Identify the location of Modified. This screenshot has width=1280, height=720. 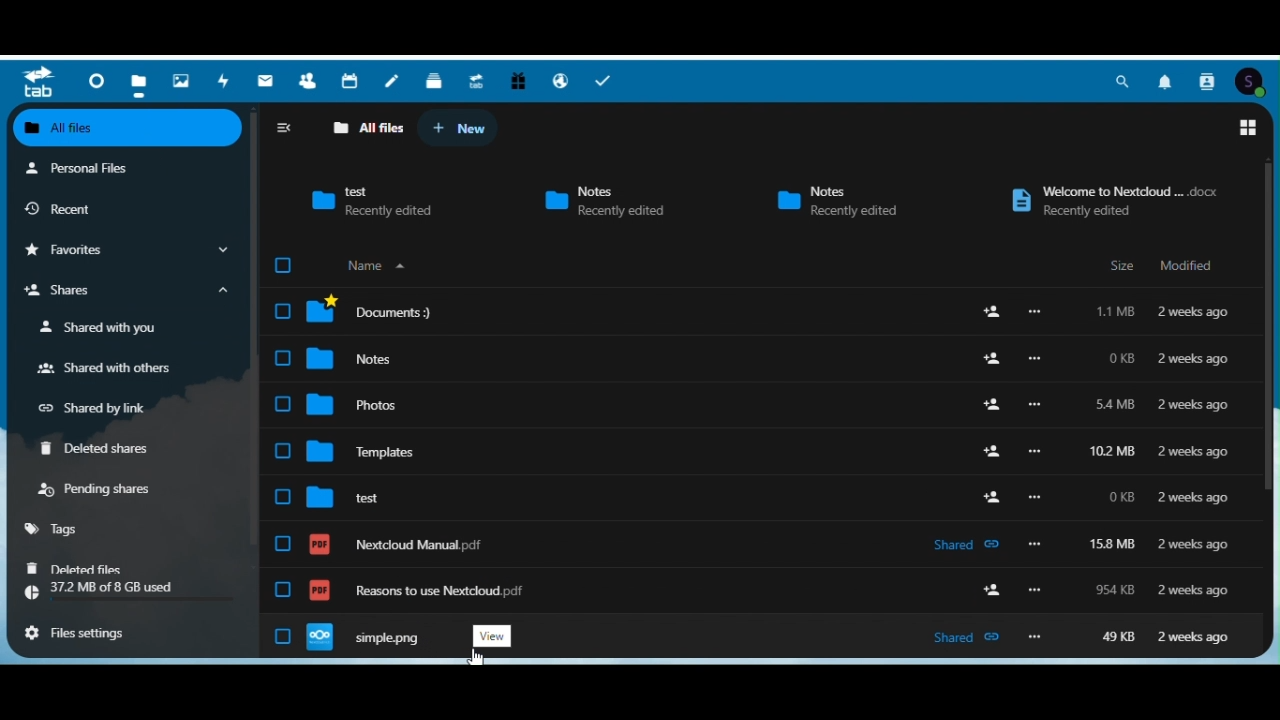
(1183, 265).